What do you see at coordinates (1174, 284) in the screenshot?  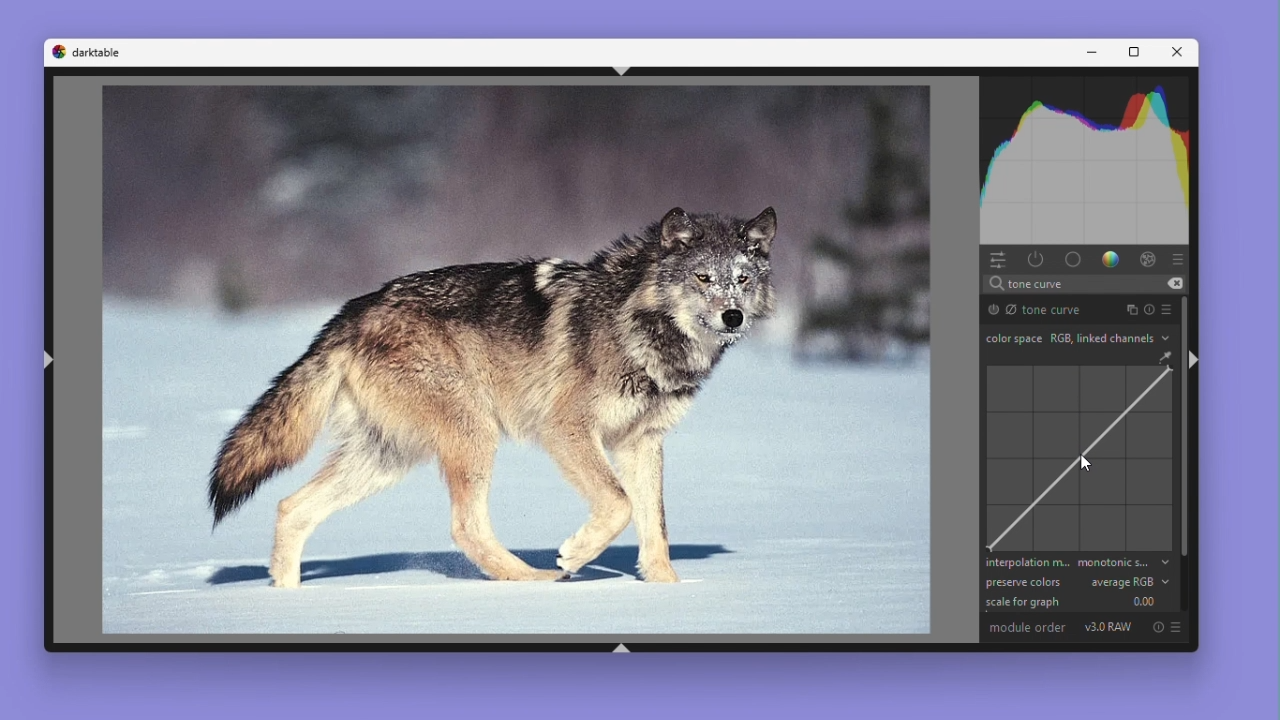 I see `erase` at bounding box center [1174, 284].